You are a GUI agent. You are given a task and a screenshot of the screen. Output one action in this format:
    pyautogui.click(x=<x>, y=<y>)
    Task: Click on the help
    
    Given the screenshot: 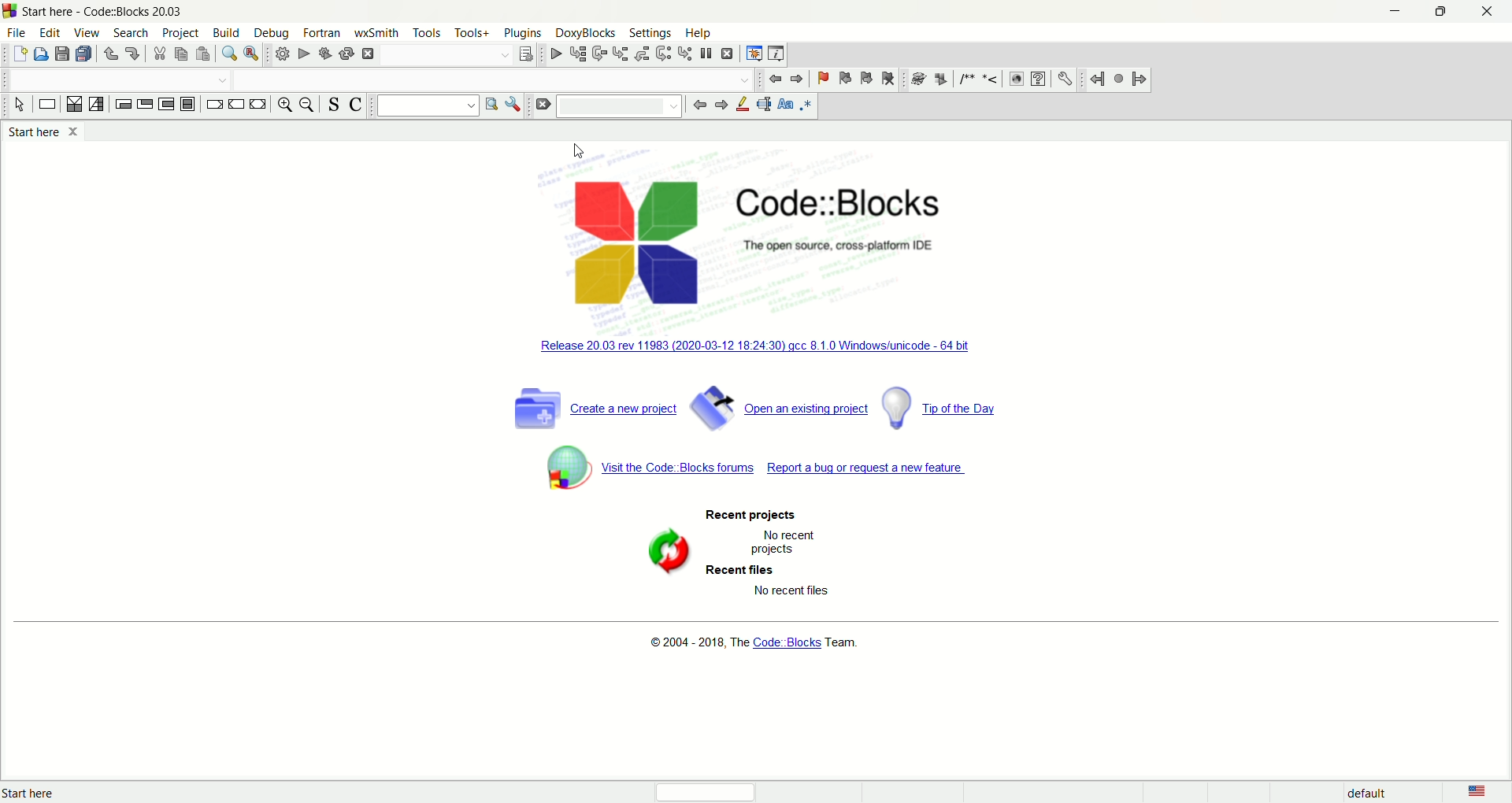 What is the action you would take?
    pyautogui.click(x=699, y=34)
    